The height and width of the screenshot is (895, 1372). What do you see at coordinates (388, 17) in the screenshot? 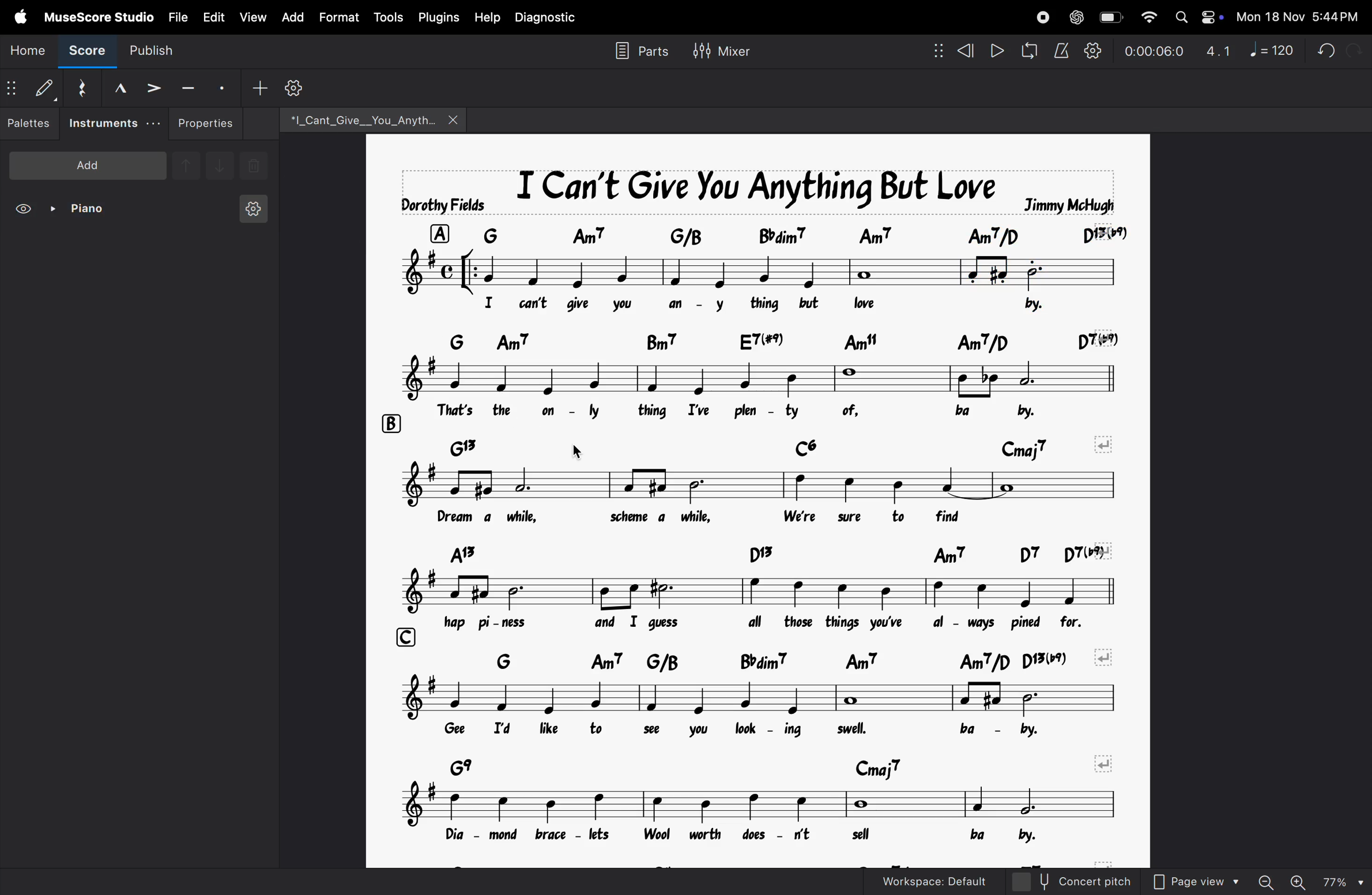
I see `tools` at bounding box center [388, 17].